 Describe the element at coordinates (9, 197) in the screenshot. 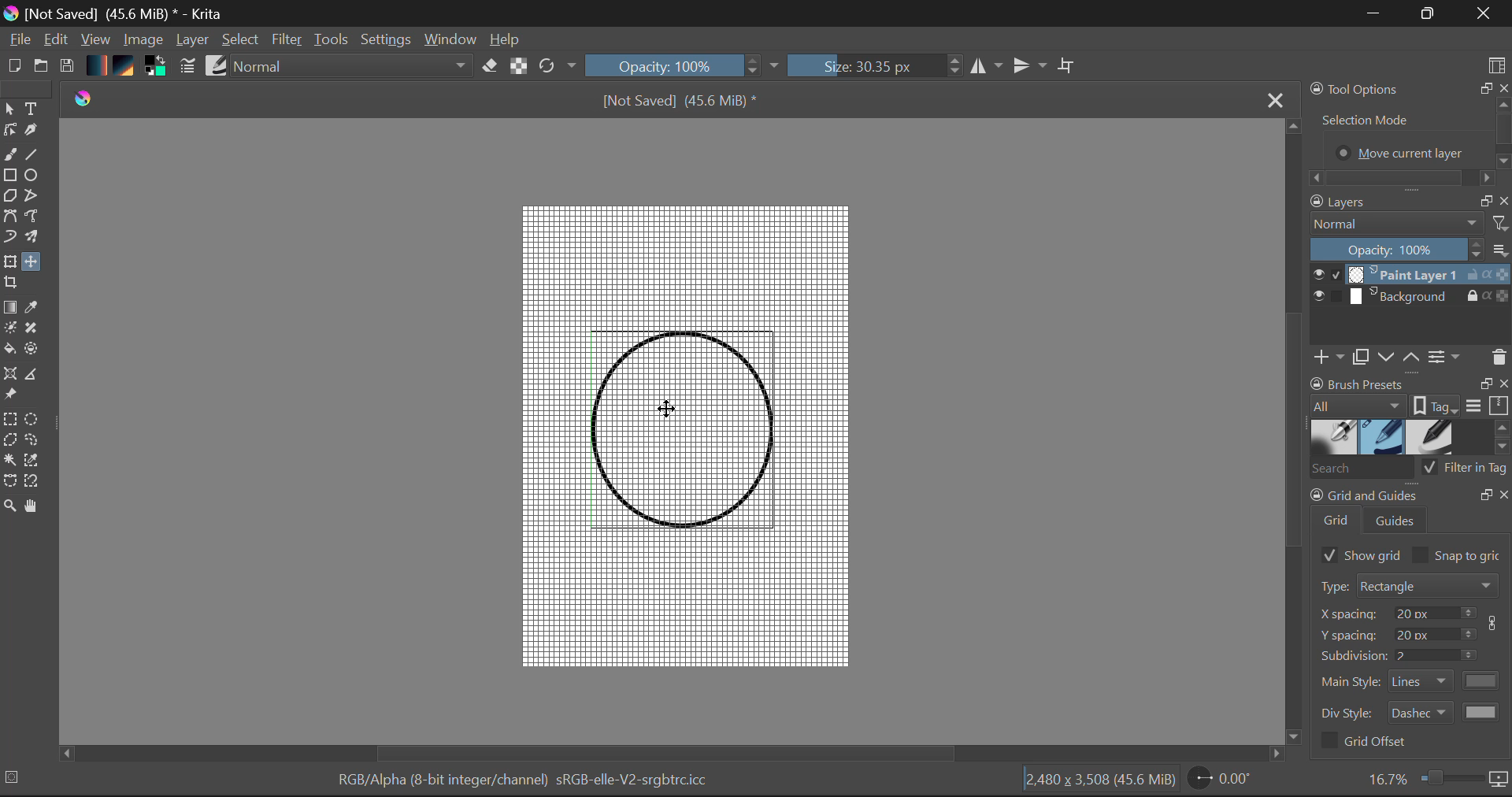

I see `Polygon` at that location.